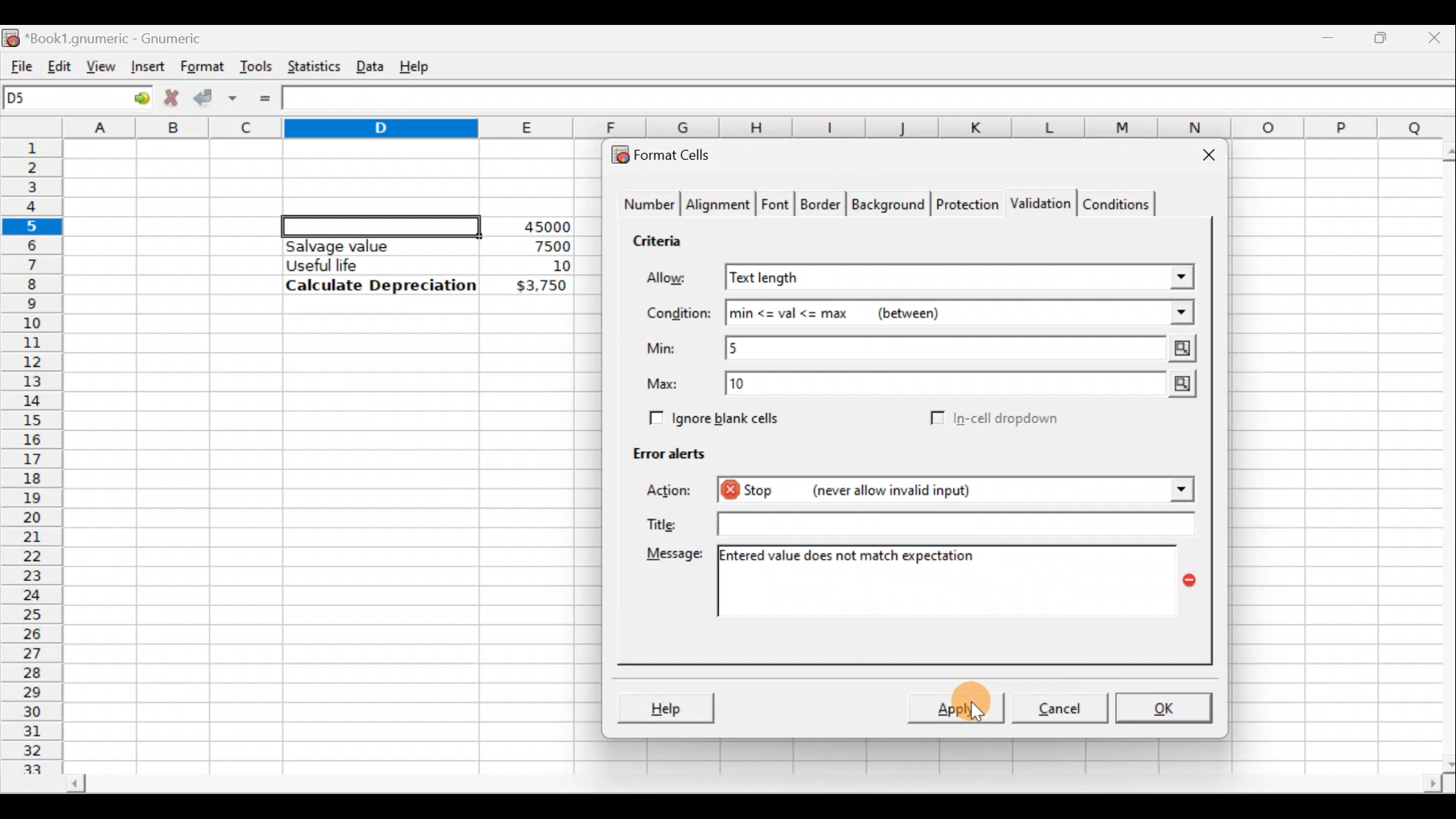 The height and width of the screenshot is (819, 1456). What do you see at coordinates (961, 278) in the screenshot?
I see `Text length selected` at bounding box center [961, 278].